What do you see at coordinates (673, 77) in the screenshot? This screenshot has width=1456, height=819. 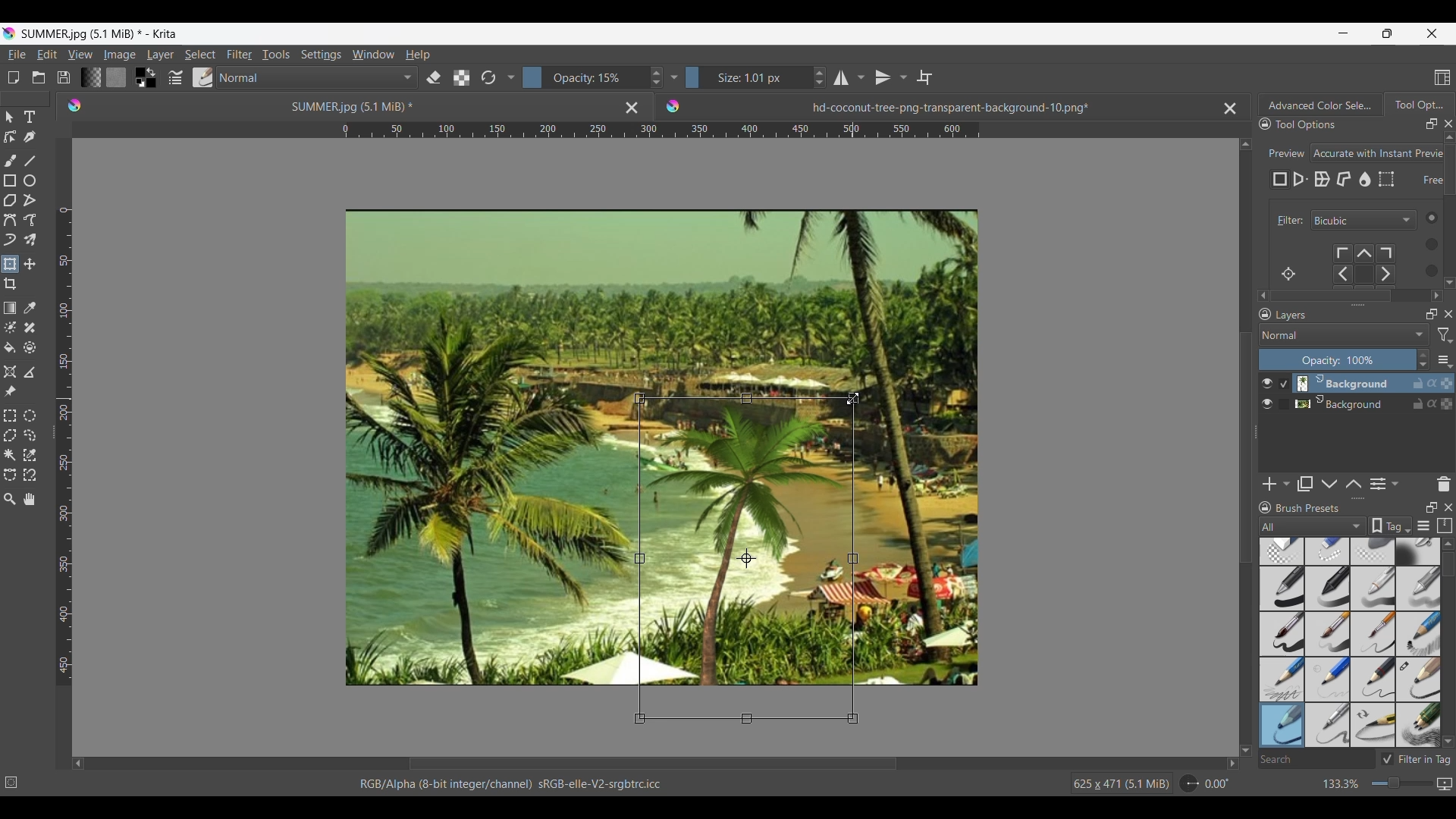 I see `Opacity options` at bounding box center [673, 77].